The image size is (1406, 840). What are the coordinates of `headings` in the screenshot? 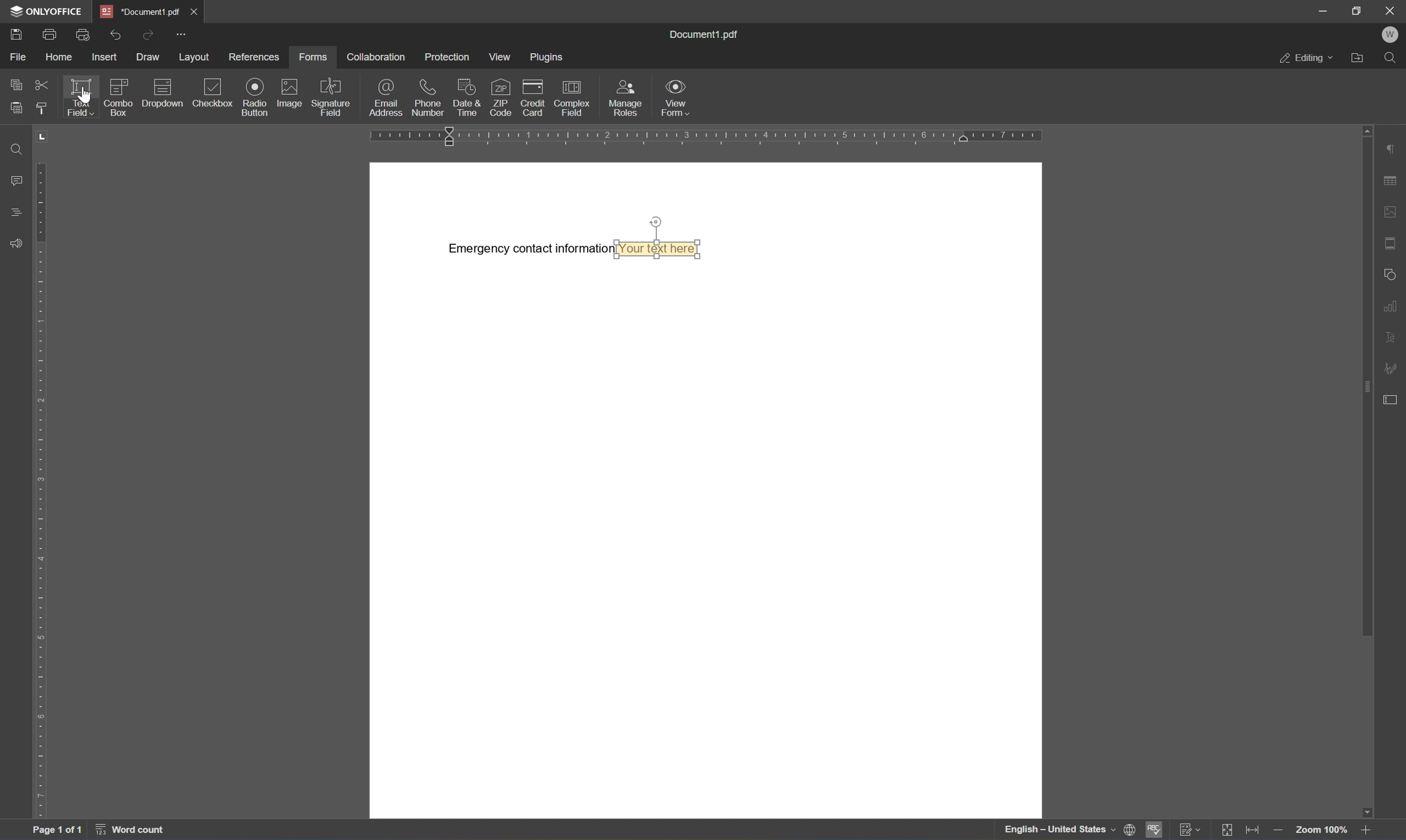 It's located at (16, 212).